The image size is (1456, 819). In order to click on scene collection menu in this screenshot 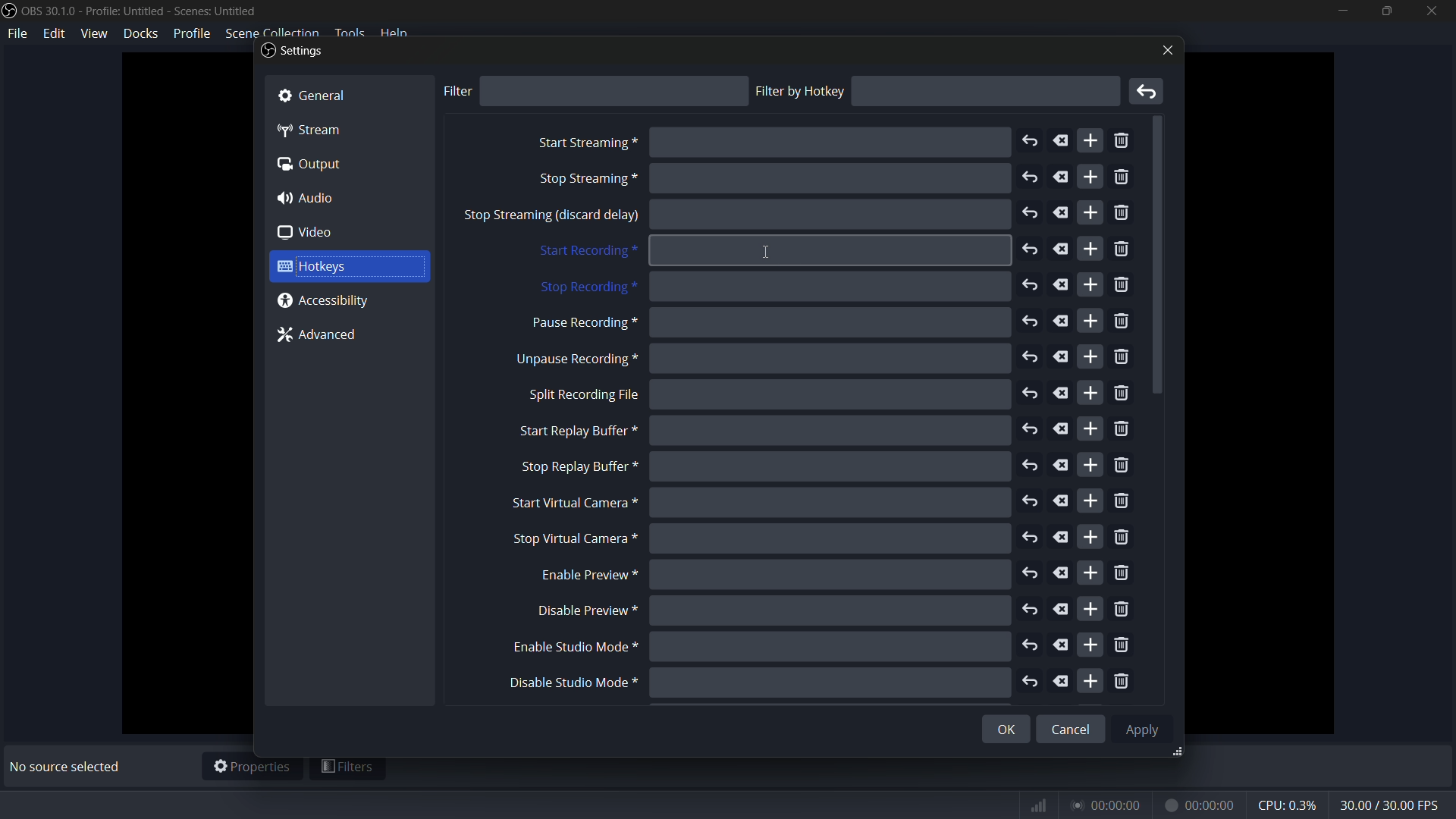, I will do `click(271, 33)`.